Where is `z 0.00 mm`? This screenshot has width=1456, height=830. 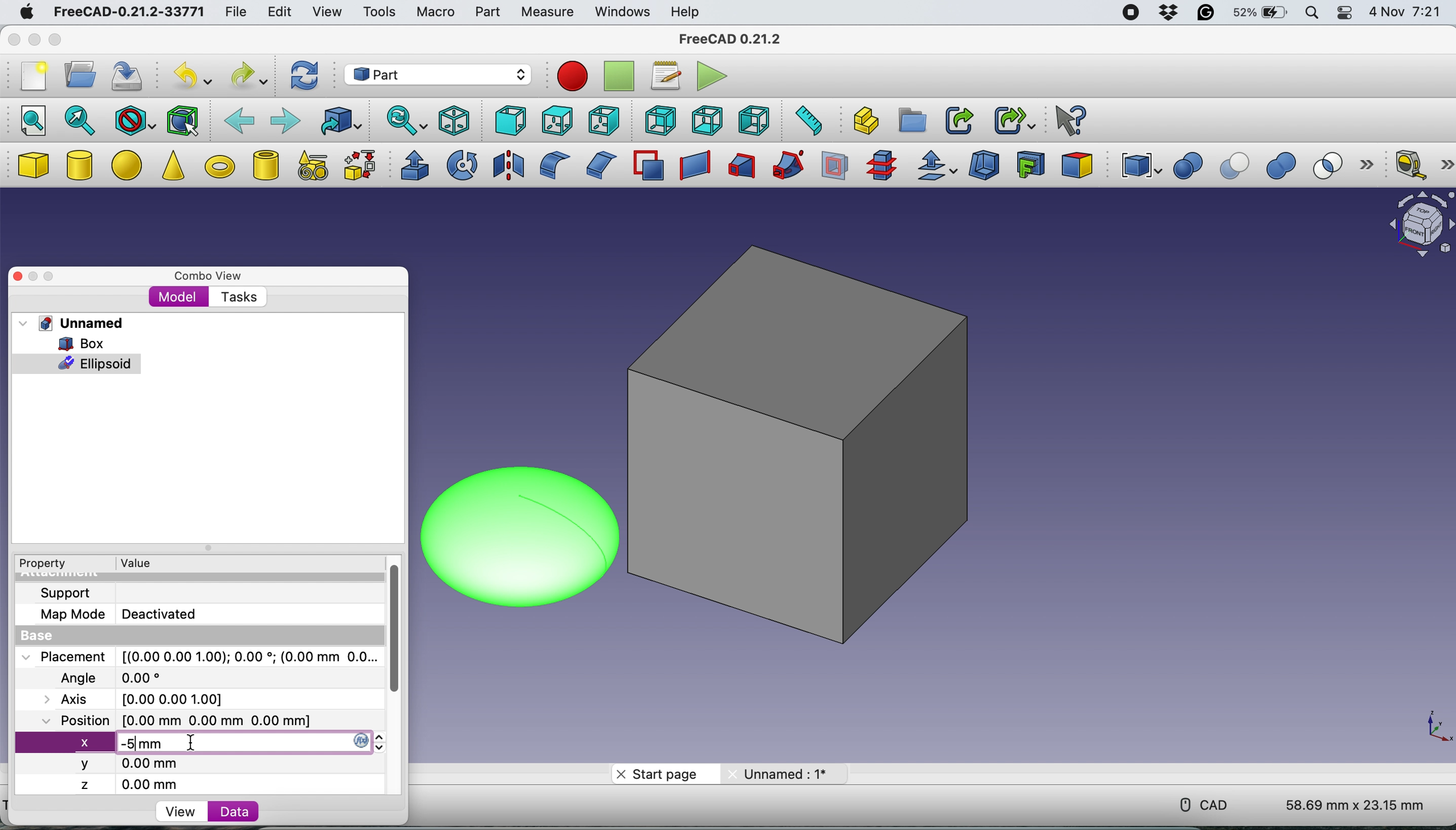
z 0.00 mm is located at coordinates (137, 784).